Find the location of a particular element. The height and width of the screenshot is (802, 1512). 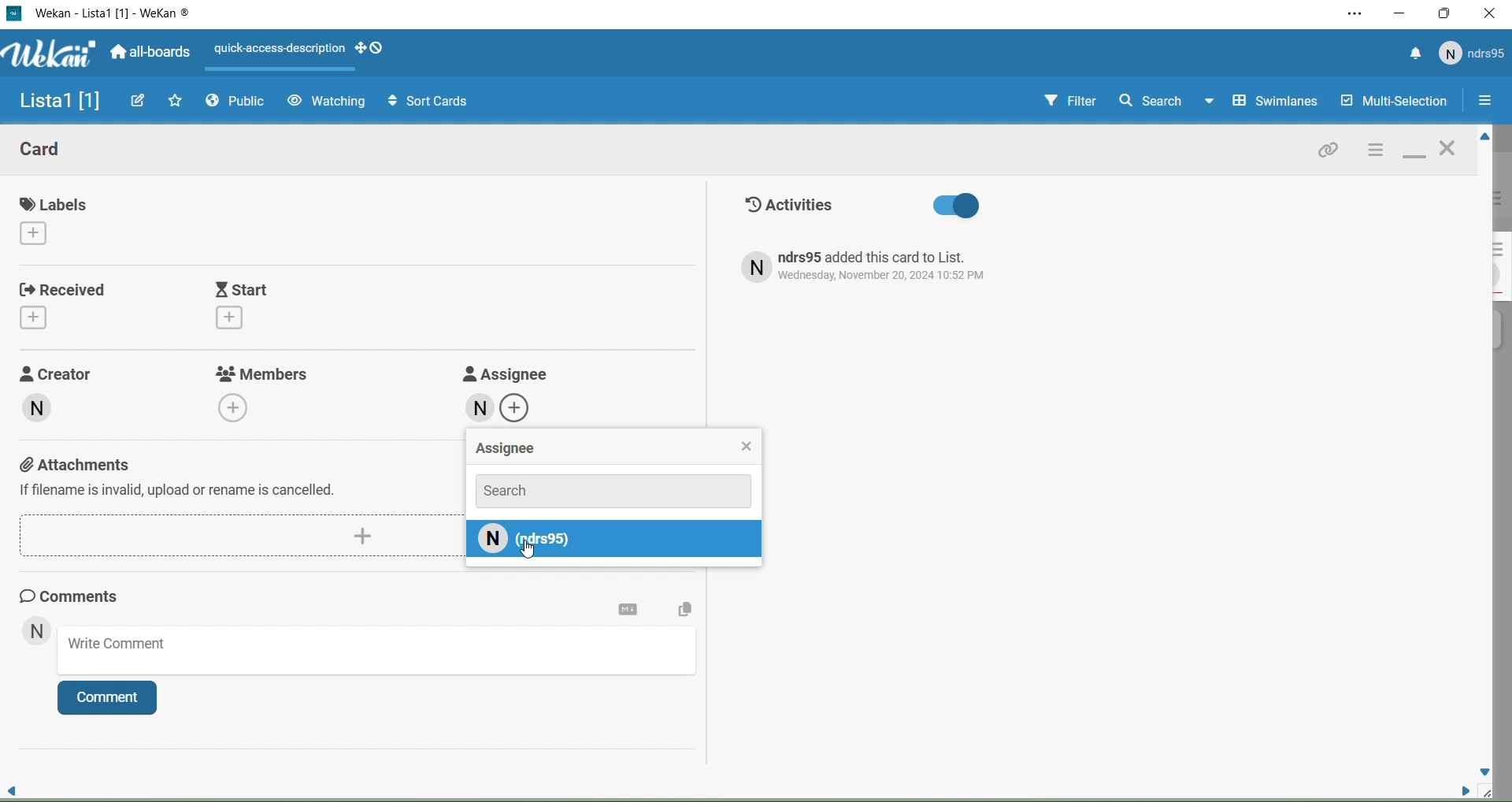

user is located at coordinates (616, 543).